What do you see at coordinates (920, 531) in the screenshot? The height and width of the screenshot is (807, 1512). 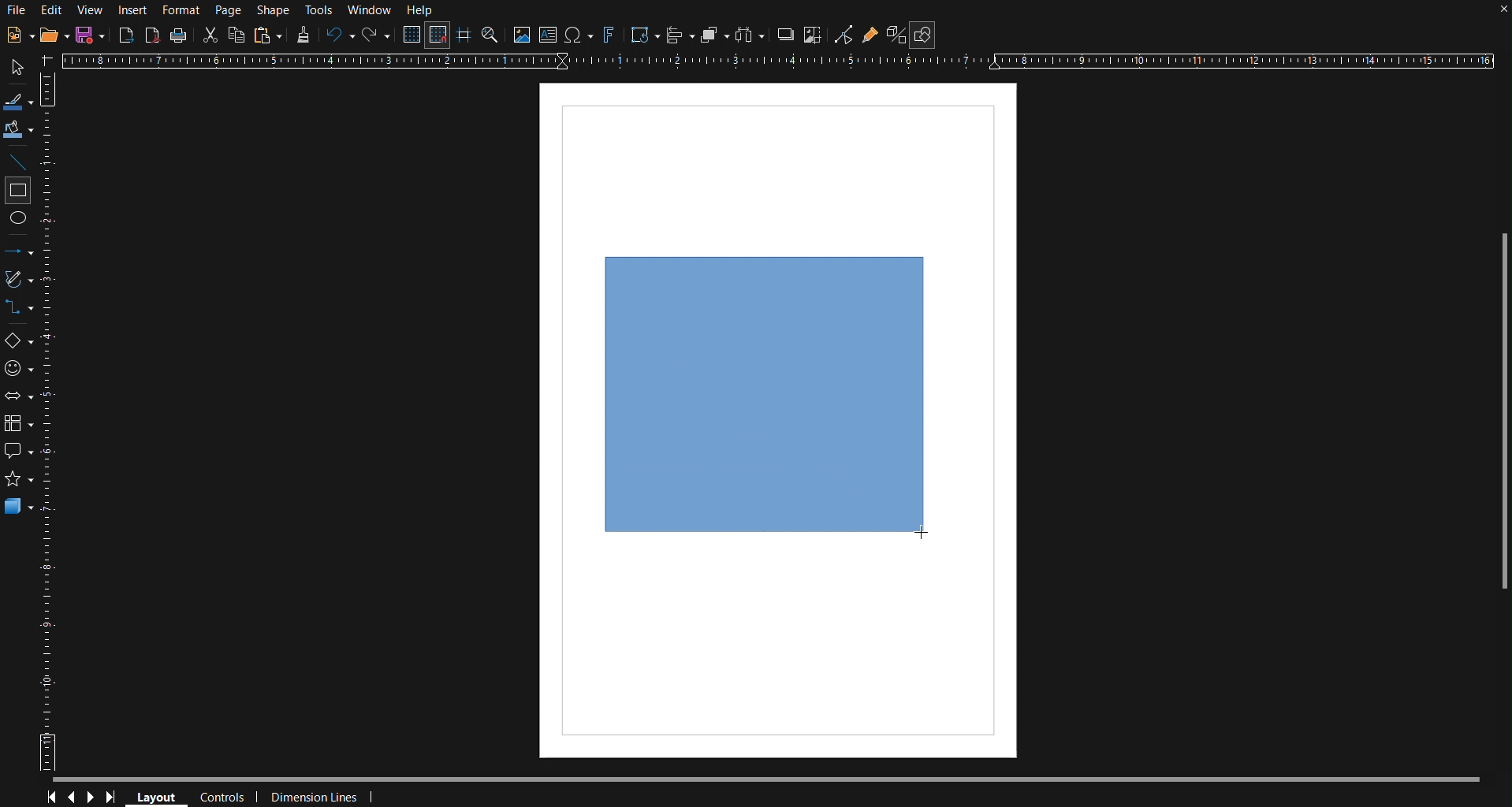 I see `Cursor` at bounding box center [920, 531].